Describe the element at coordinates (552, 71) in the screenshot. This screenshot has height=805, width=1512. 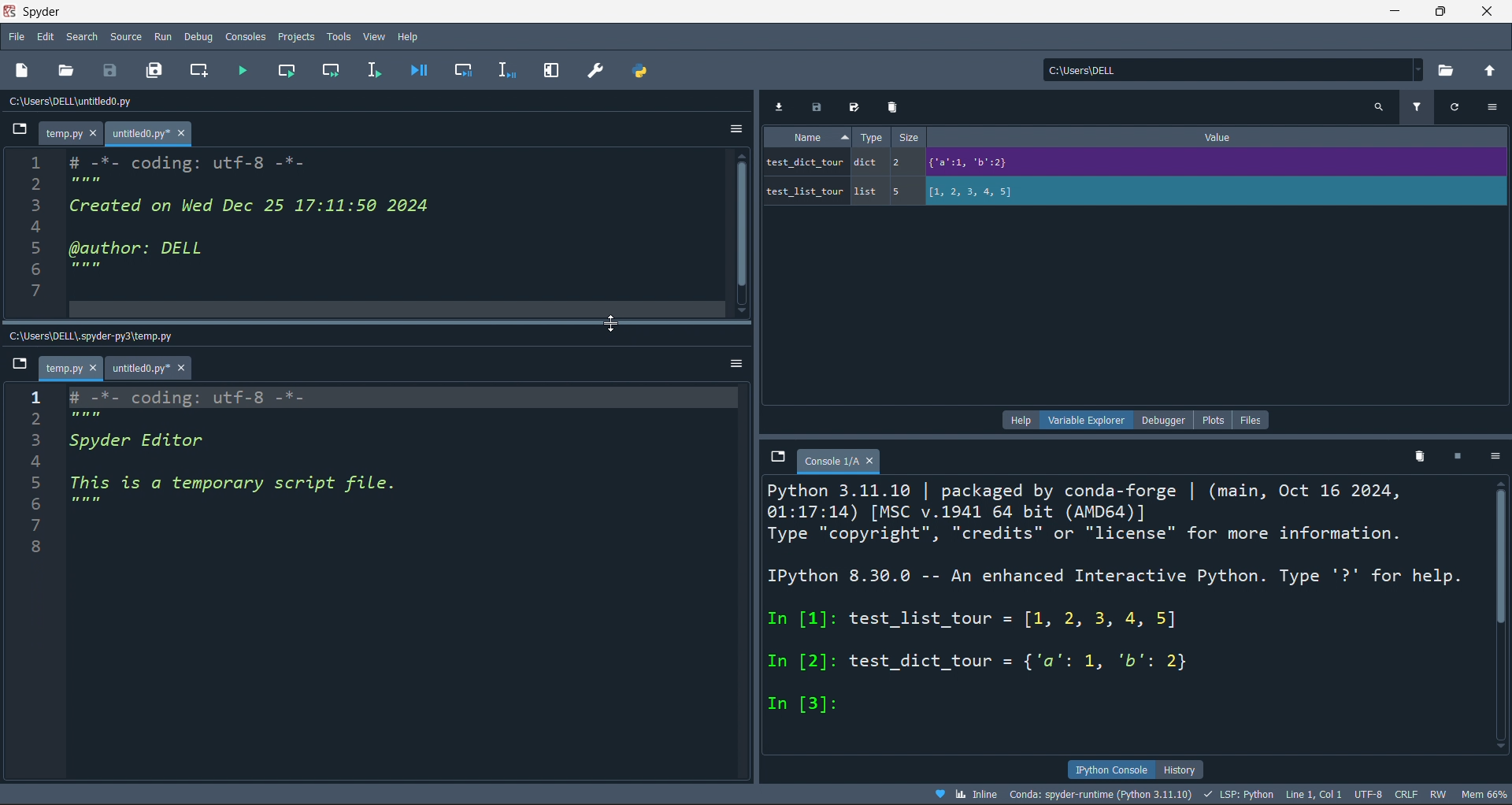
I see `expand pane` at that location.